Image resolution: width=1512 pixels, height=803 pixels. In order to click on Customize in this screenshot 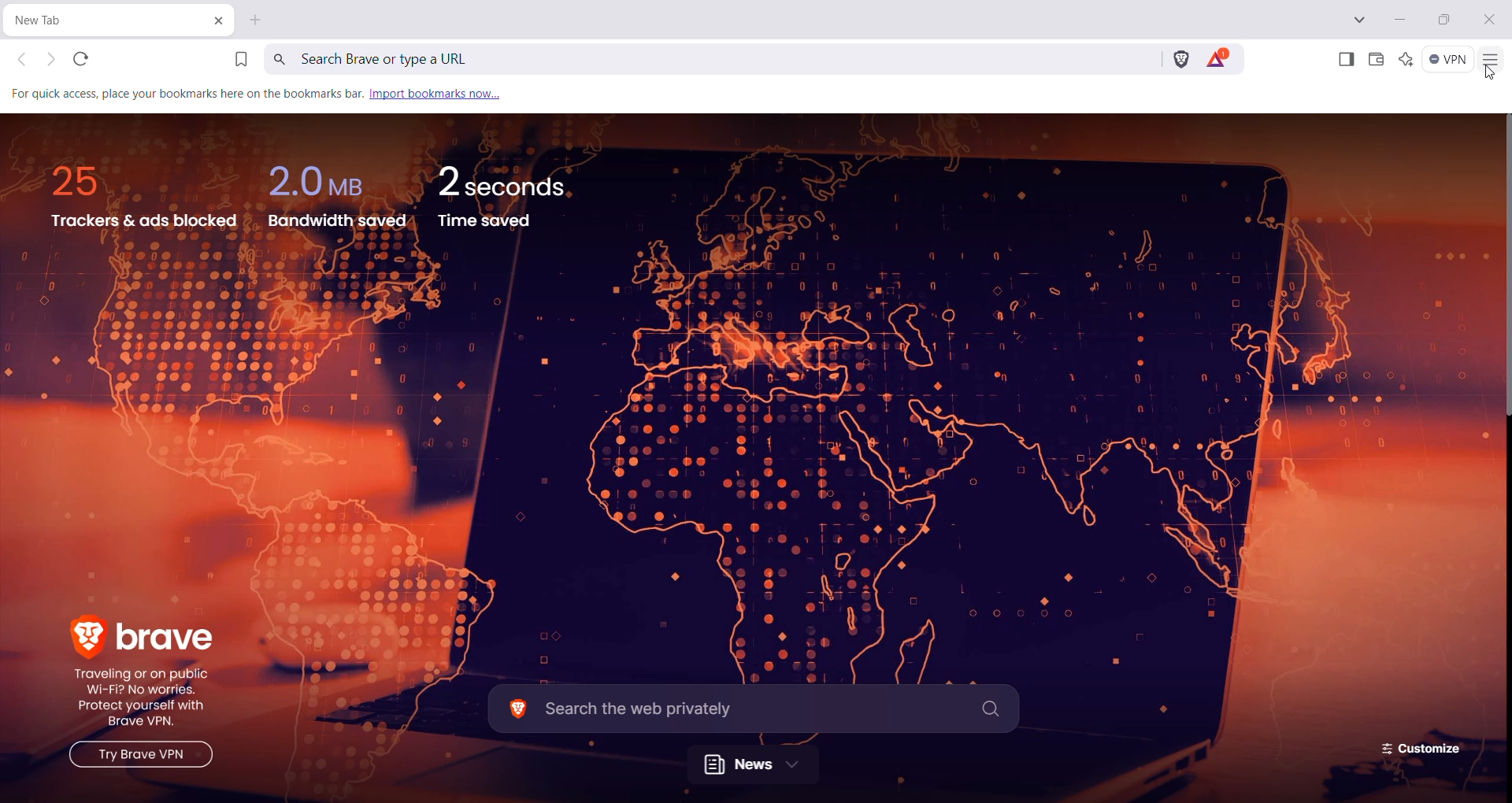, I will do `click(1415, 749)`.